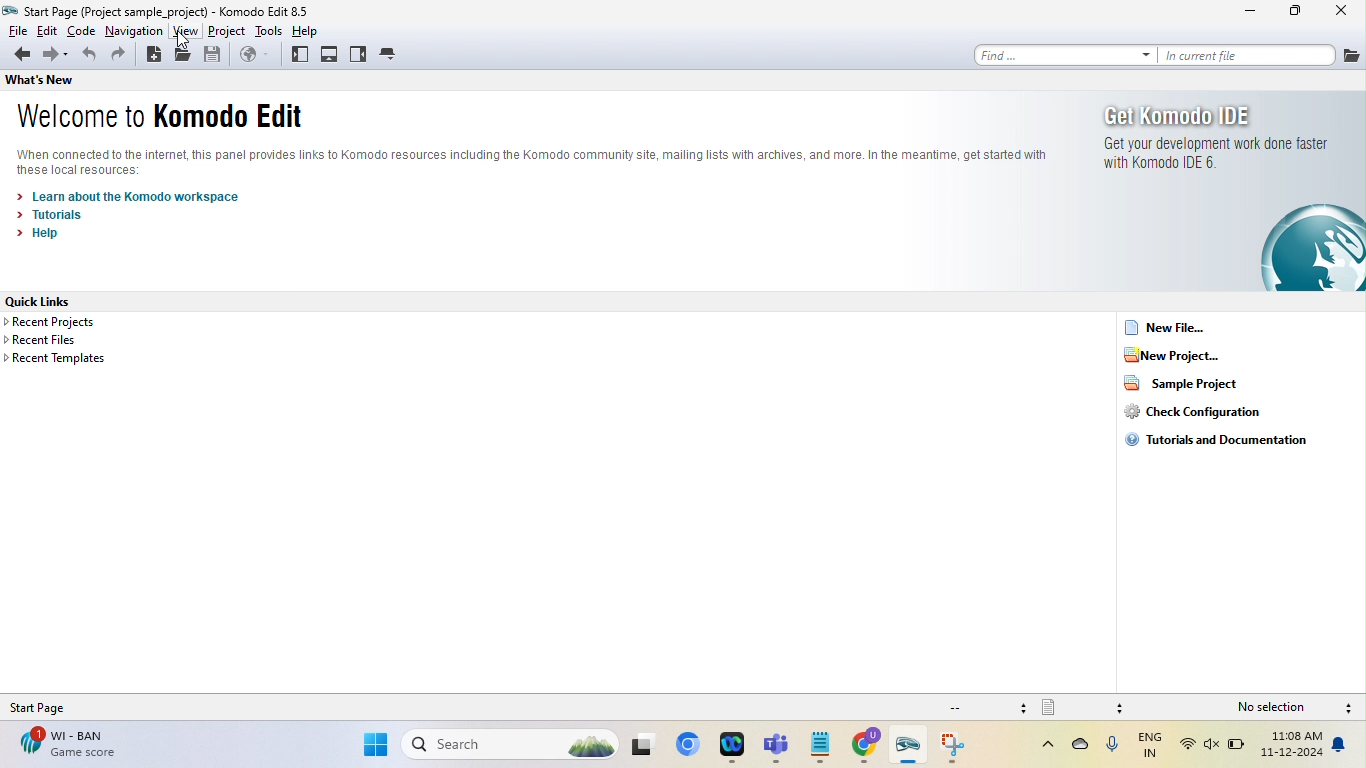 The image size is (1366, 768). I want to click on view, so click(185, 32).